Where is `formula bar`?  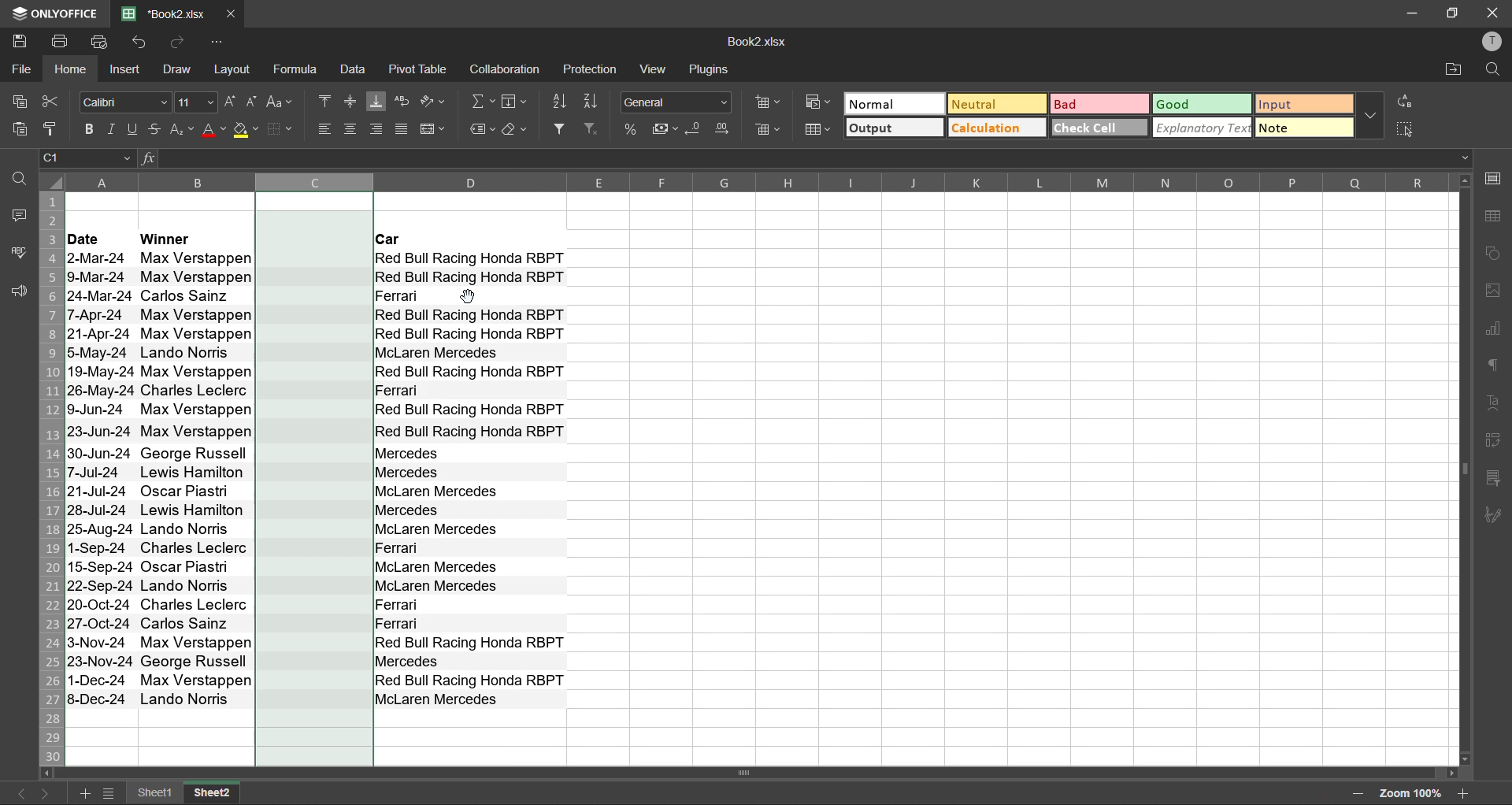
formula bar is located at coordinates (814, 158).